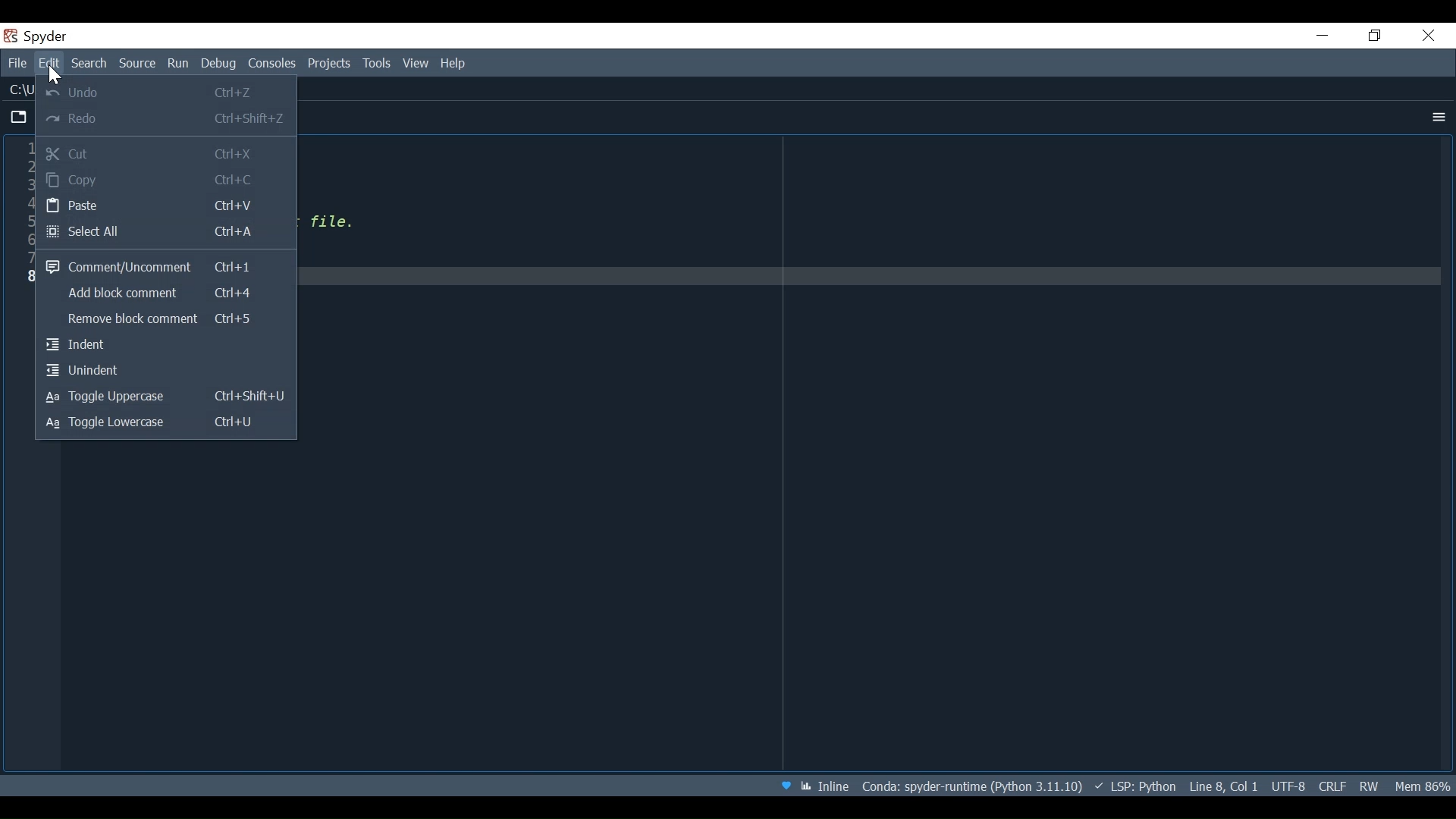  I want to click on File, so click(20, 65).